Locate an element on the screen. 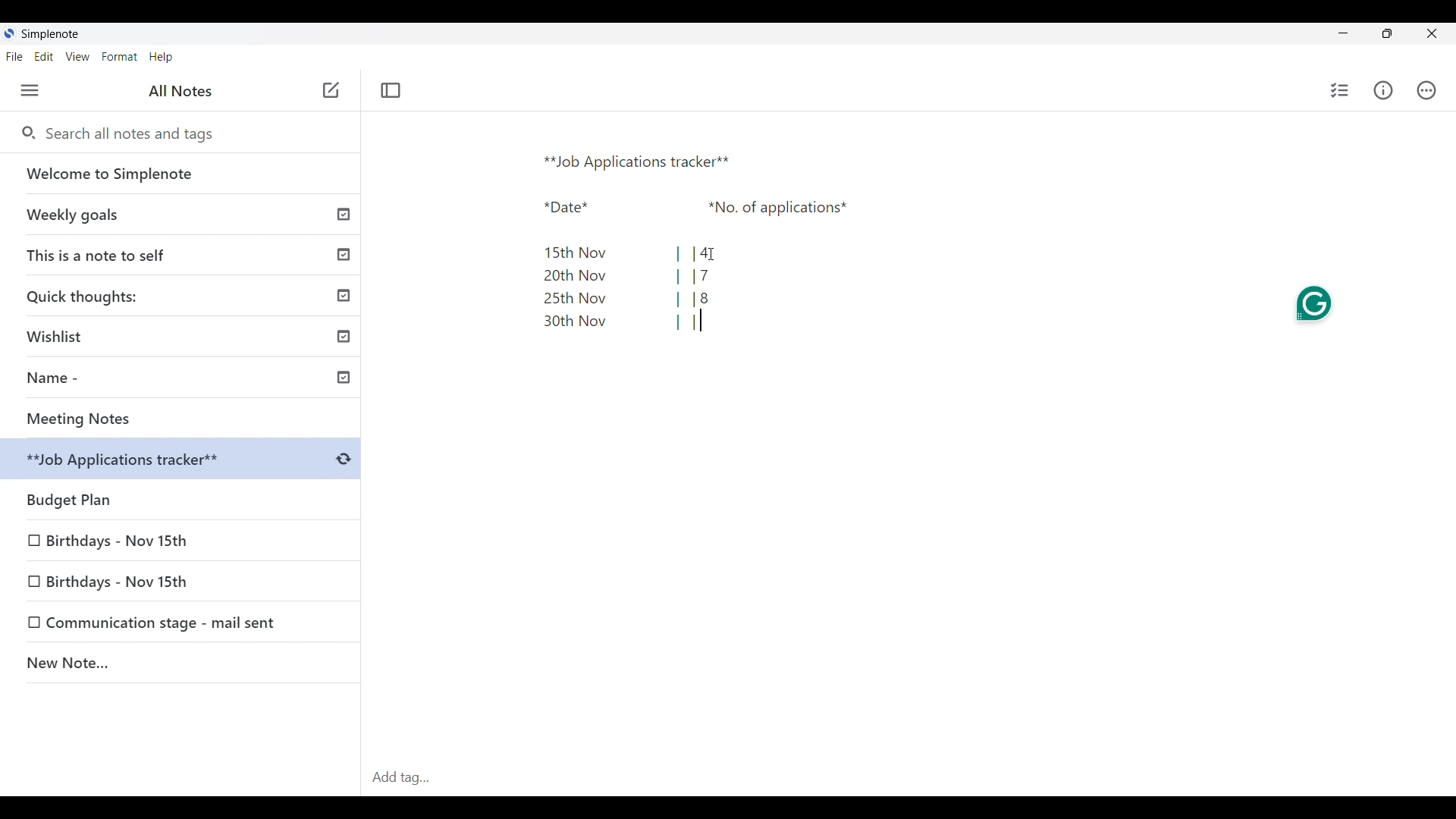  Software logo is located at coordinates (8, 33).